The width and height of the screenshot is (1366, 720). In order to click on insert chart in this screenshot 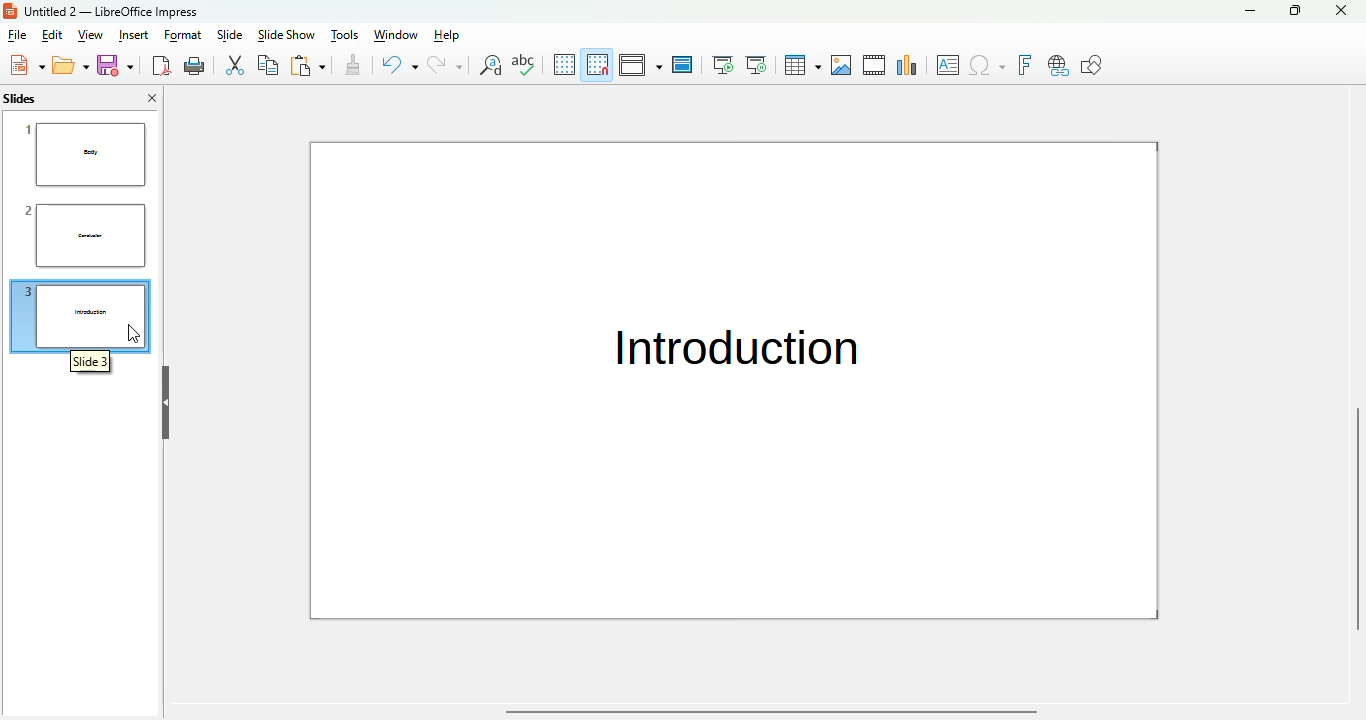, I will do `click(908, 64)`.